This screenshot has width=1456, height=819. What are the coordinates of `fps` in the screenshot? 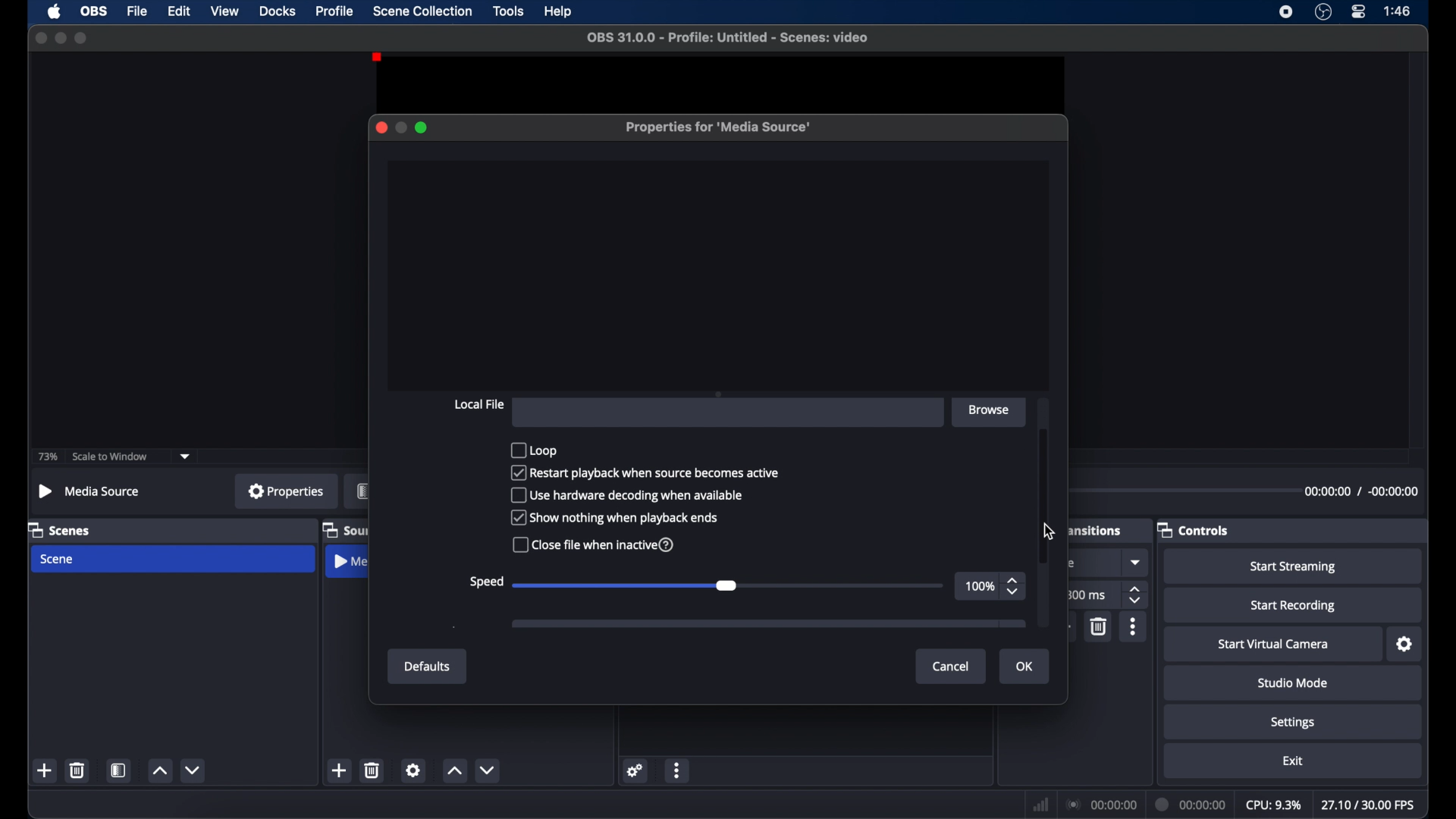 It's located at (1370, 805).